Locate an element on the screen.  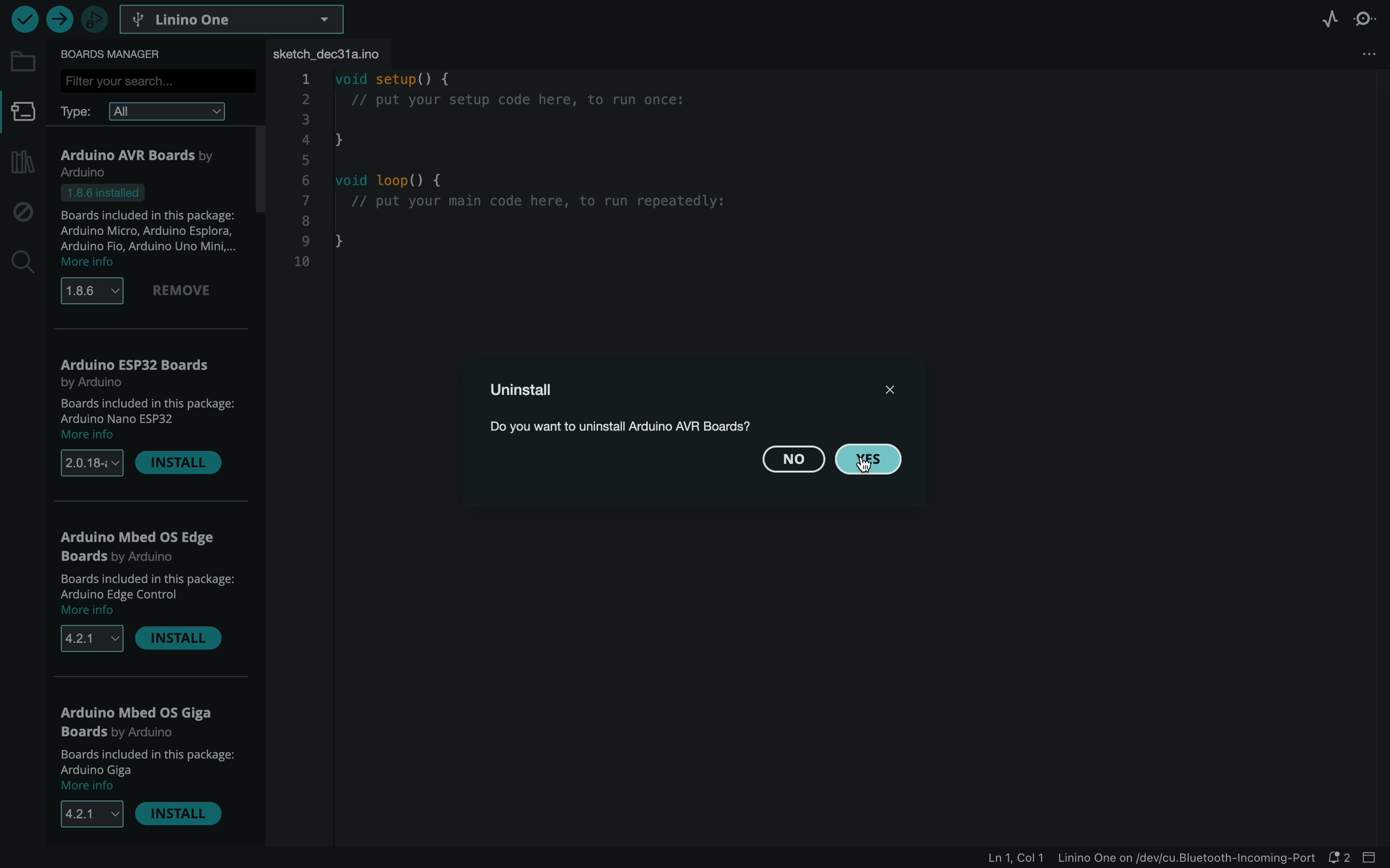
code is located at coordinates (540, 178).